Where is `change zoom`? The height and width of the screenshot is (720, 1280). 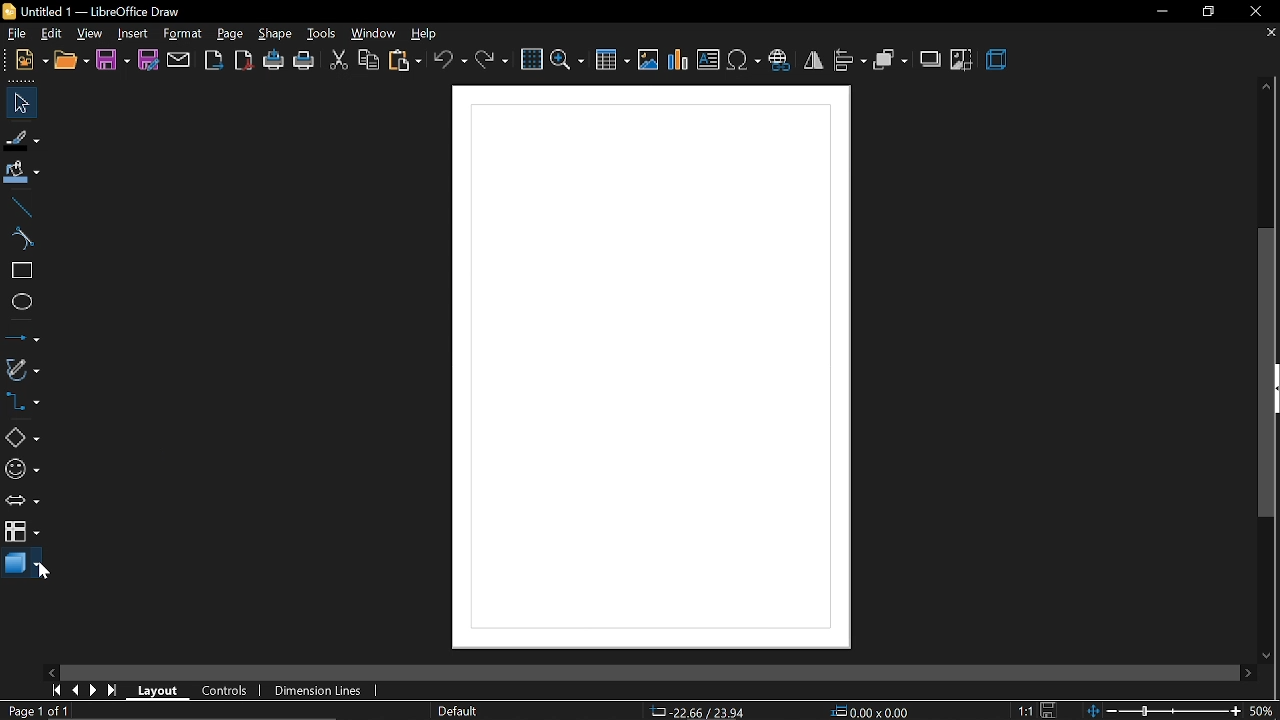
change zoom is located at coordinates (1164, 712).